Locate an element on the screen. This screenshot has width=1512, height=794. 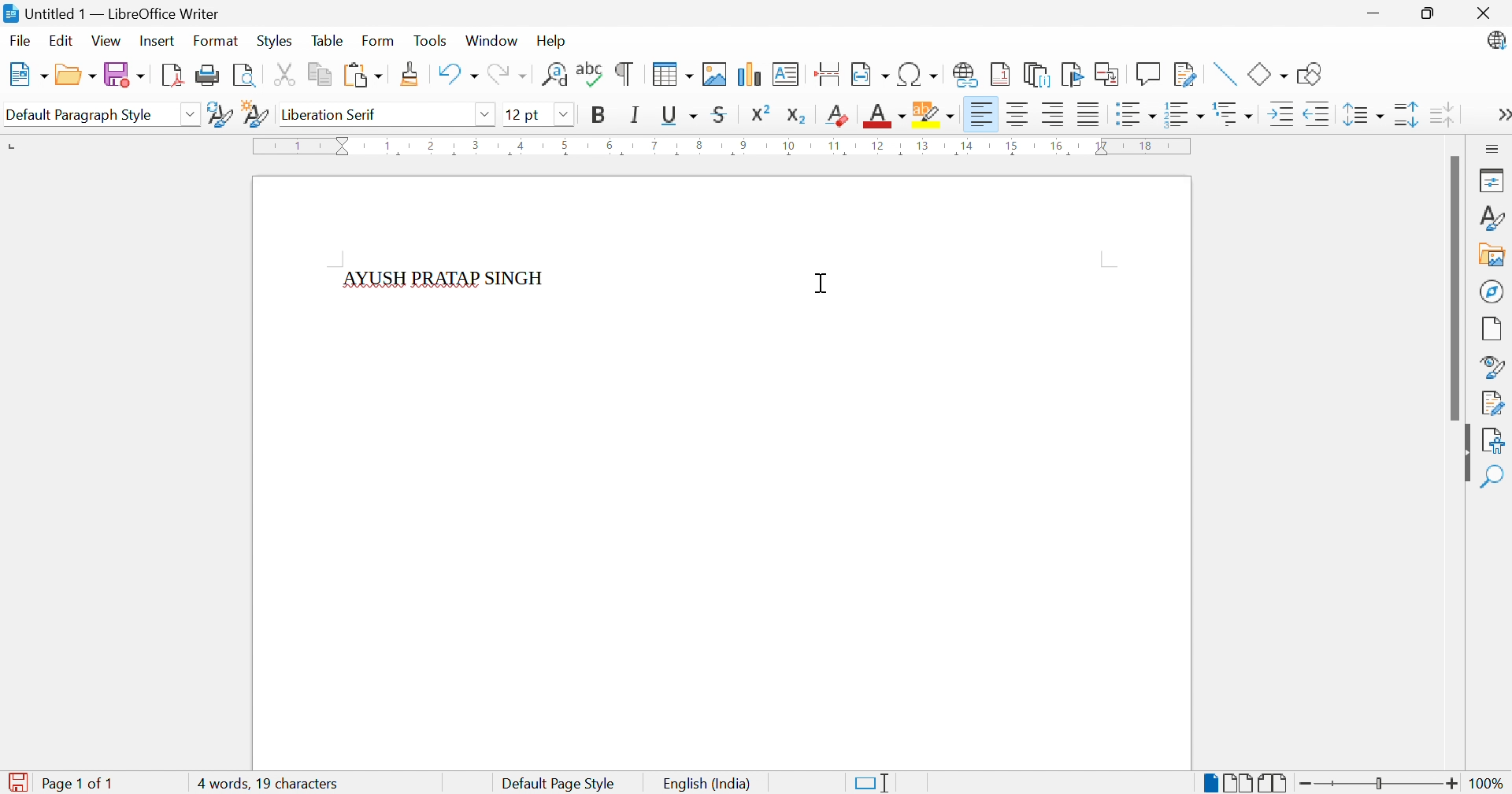
View is located at coordinates (107, 39).